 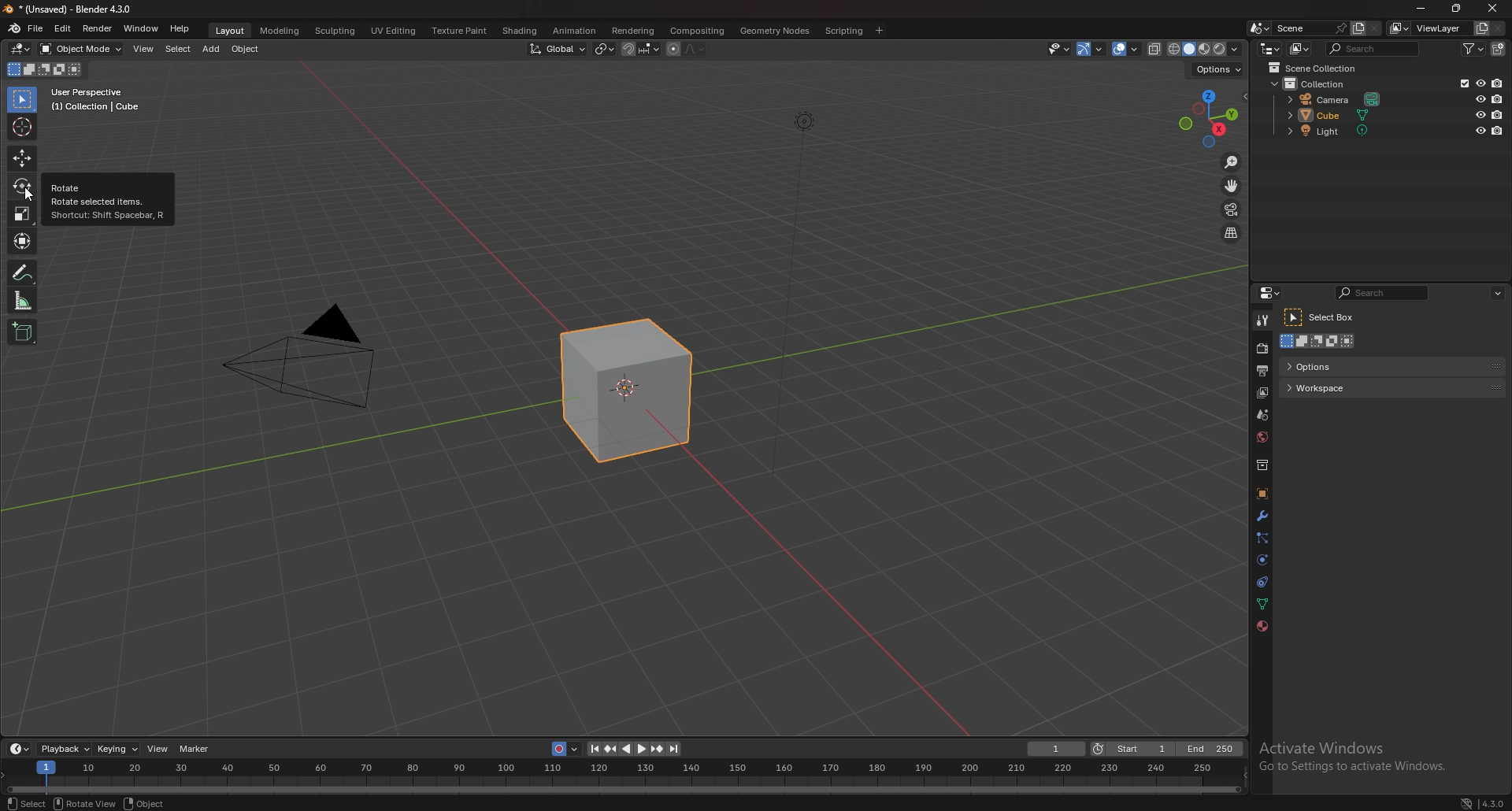 I want to click on render, so click(x=1263, y=348).